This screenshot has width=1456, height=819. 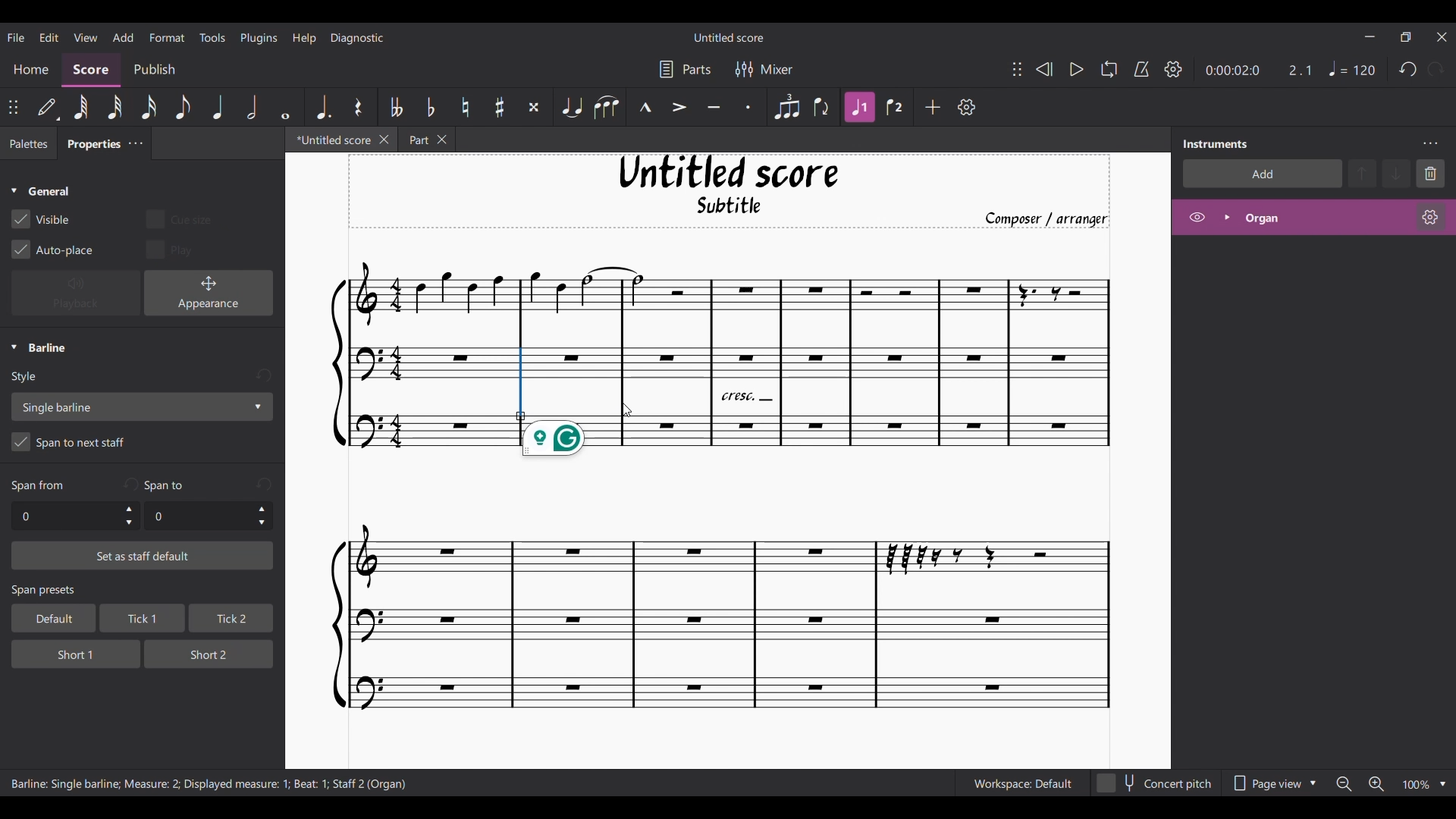 What do you see at coordinates (1257, 71) in the screenshot?
I see `Duration and ratio changed due to current selection` at bounding box center [1257, 71].